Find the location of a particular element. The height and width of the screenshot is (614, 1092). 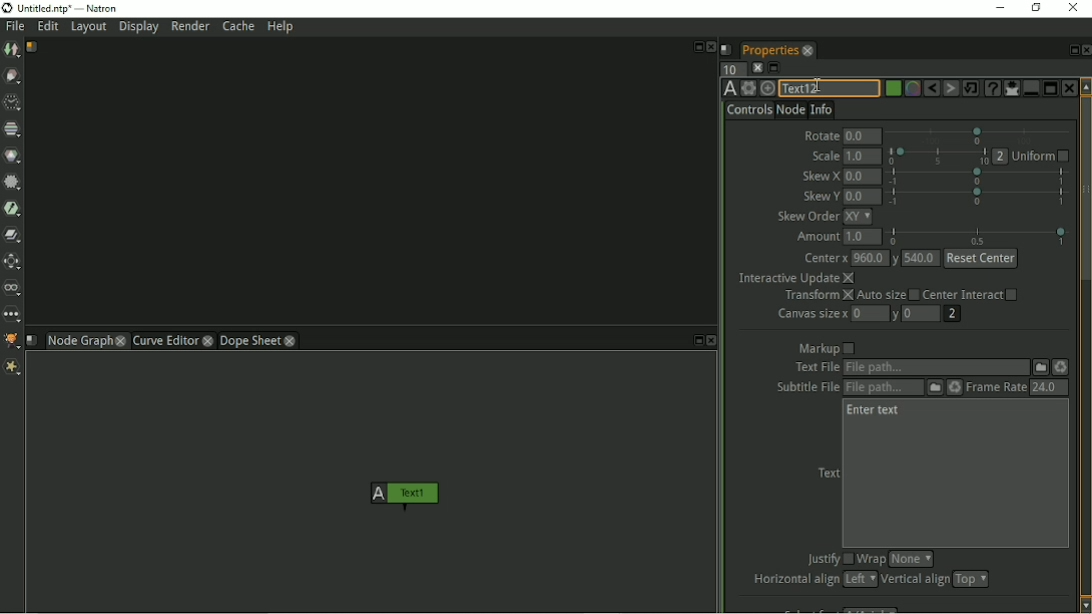

Center is located at coordinates (825, 259).